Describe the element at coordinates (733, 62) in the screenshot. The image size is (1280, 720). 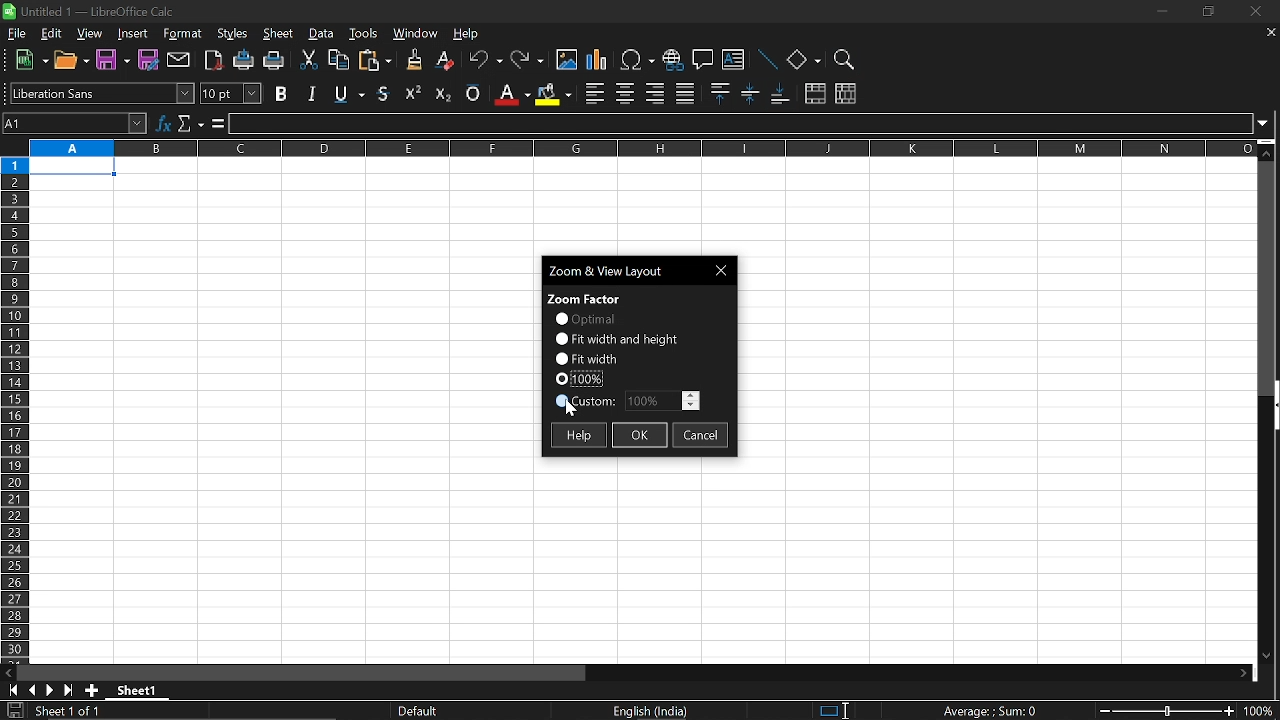
I see `insert text` at that location.